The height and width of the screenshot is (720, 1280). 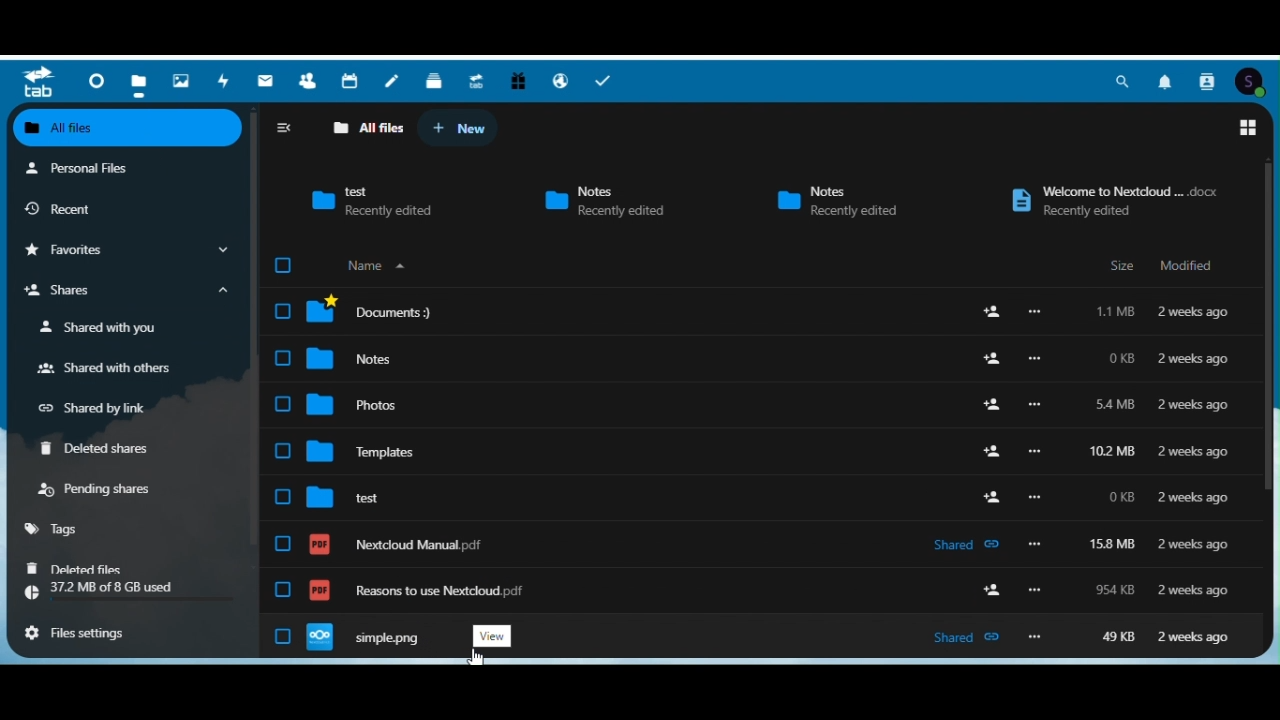 What do you see at coordinates (1192, 590) in the screenshot?
I see `modified` at bounding box center [1192, 590].